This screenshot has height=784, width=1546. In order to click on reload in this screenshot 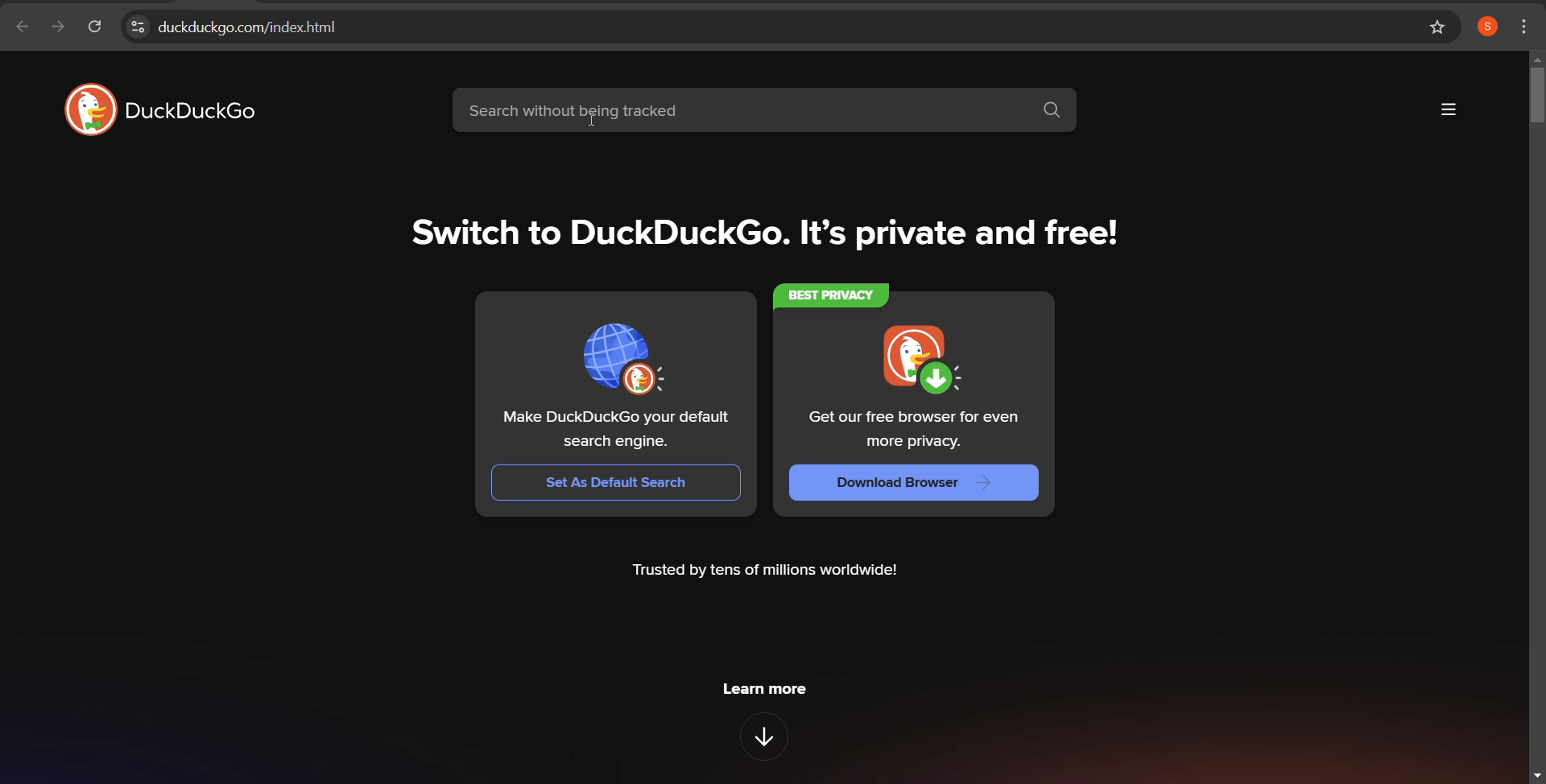, I will do `click(94, 29)`.